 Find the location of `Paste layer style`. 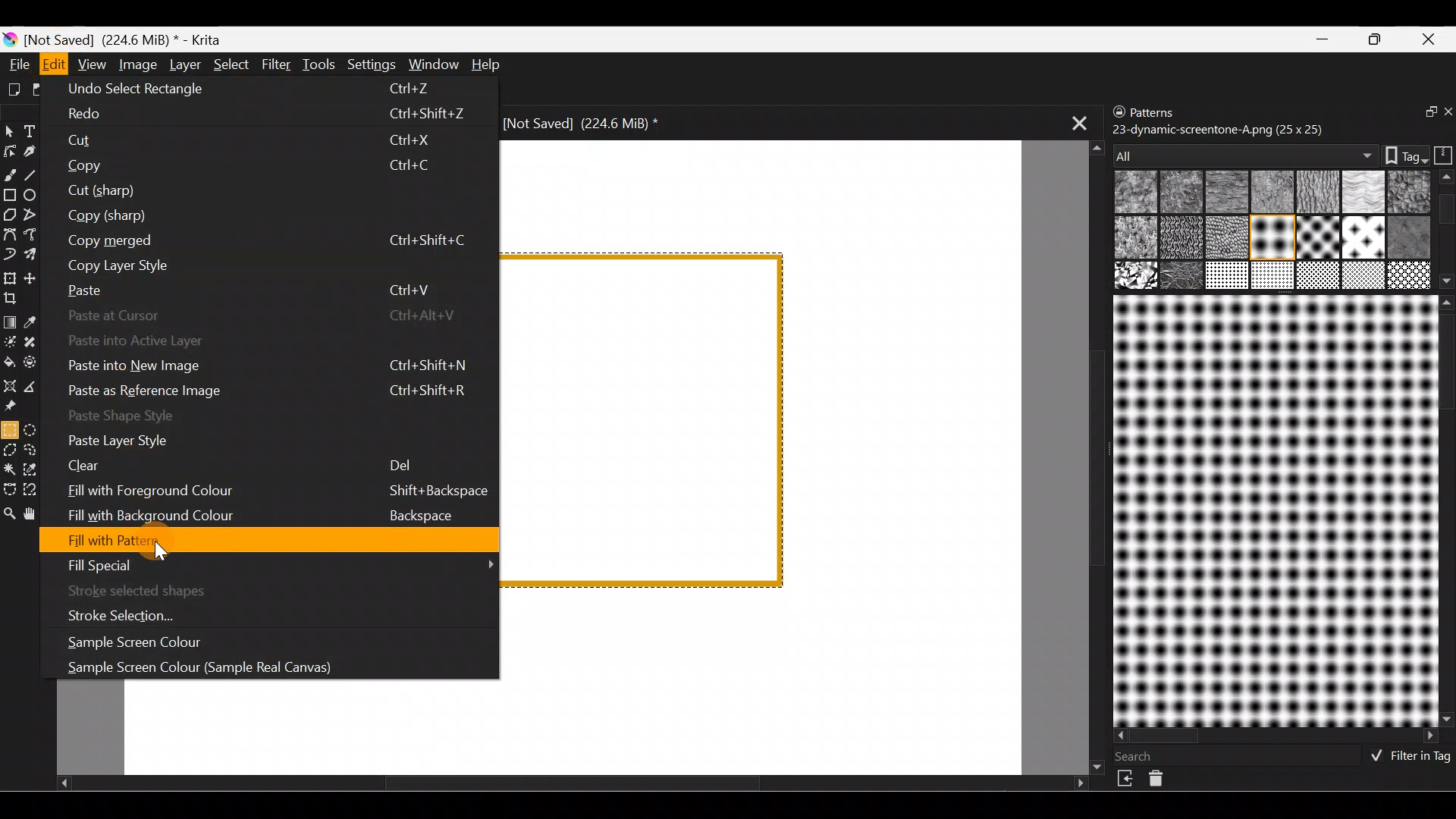

Paste layer style is located at coordinates (201, 439).